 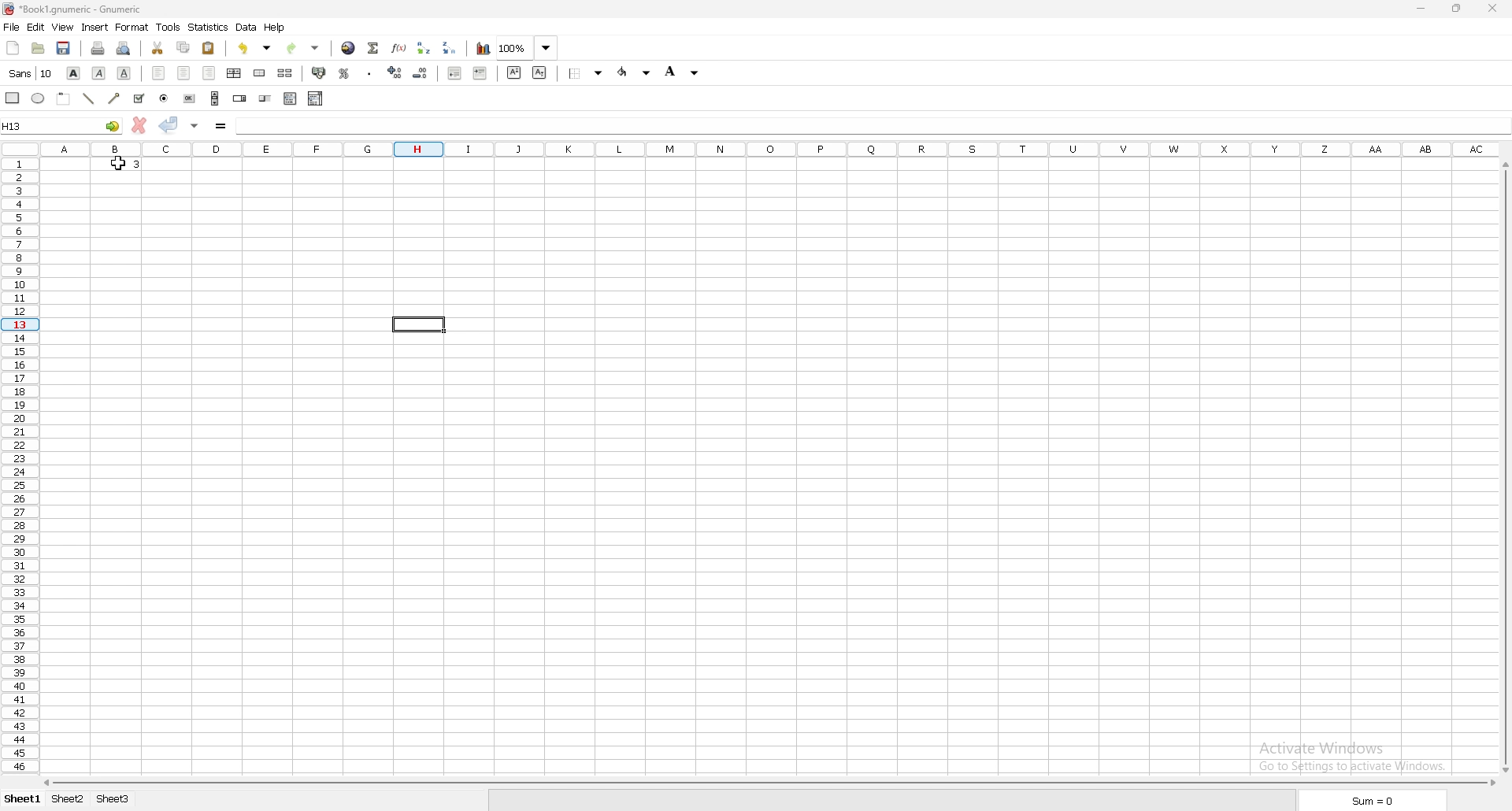 What do you see at coordinates (209, 27) in the screenshot?
I see `statistics` at bounding box center [209, 27].